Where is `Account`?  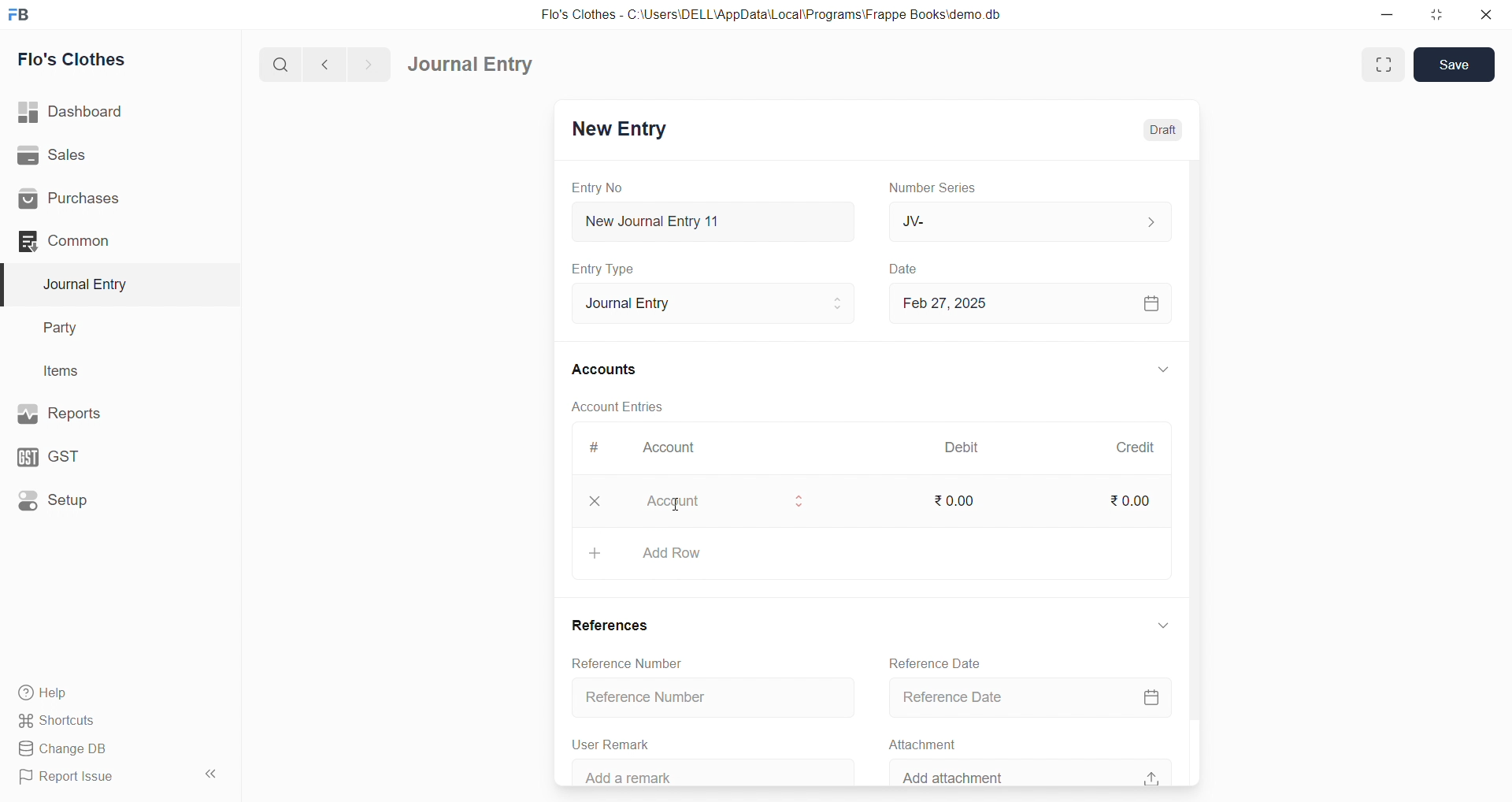
Account is located at coordinates (721, 503).